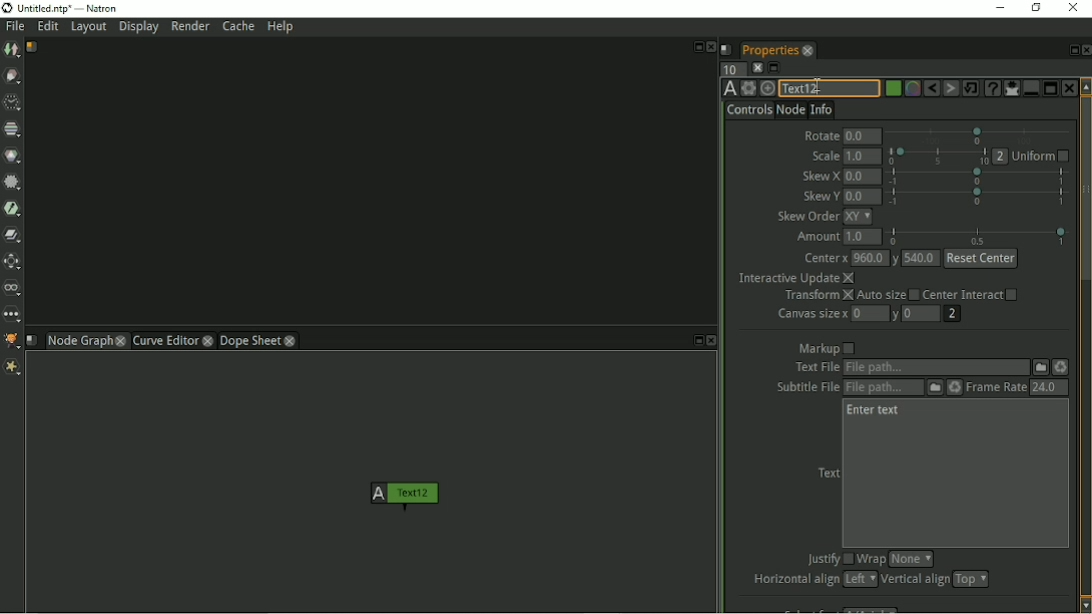 The height and width of the screenshot is (614, 1092). What do you see at coordinates (164, 340) in the screenshot?
I see `Curve Editor` at bounding box center [164, 340].